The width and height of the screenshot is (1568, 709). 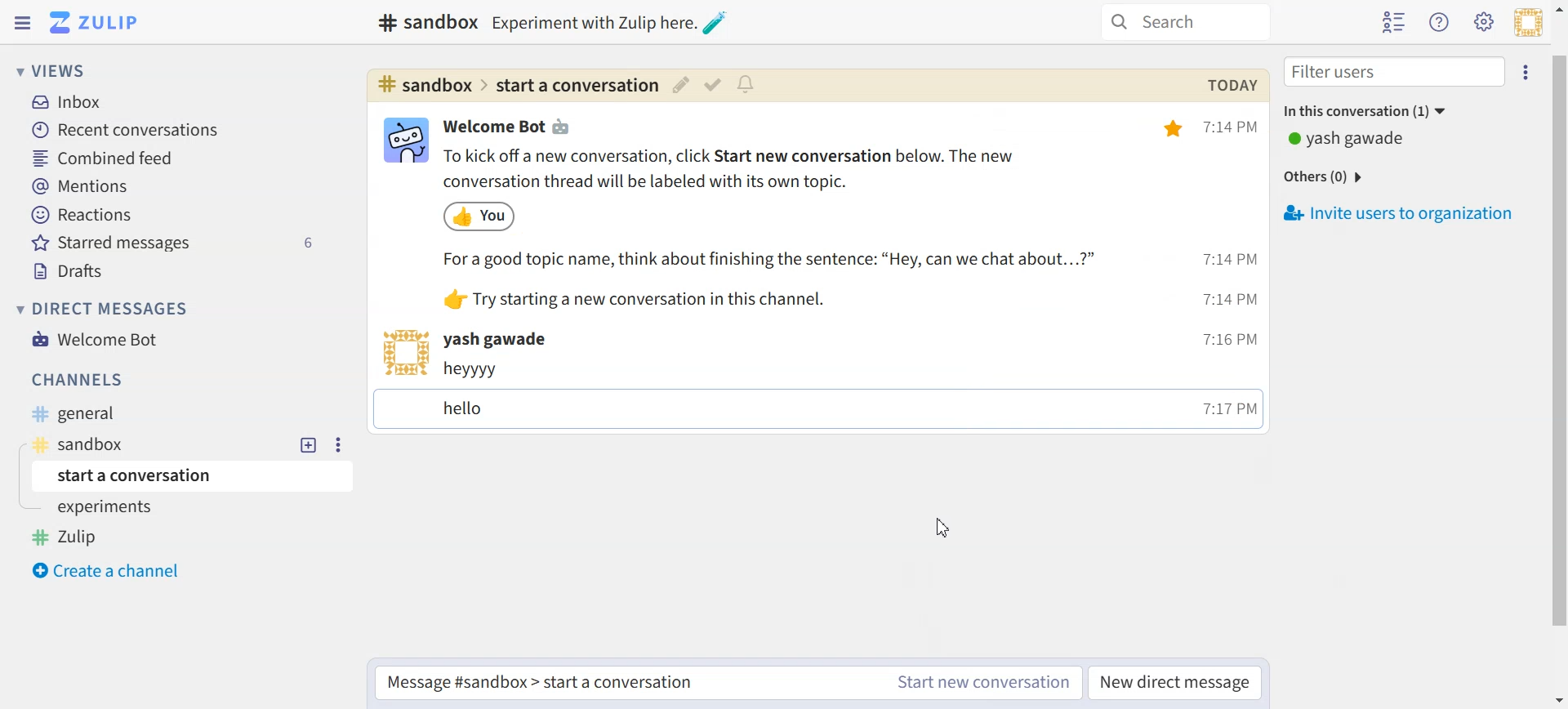 What do you see at coordinates (177, 242) in the screenshot?
I see `Starred messages` at bounding box center [177, 242].